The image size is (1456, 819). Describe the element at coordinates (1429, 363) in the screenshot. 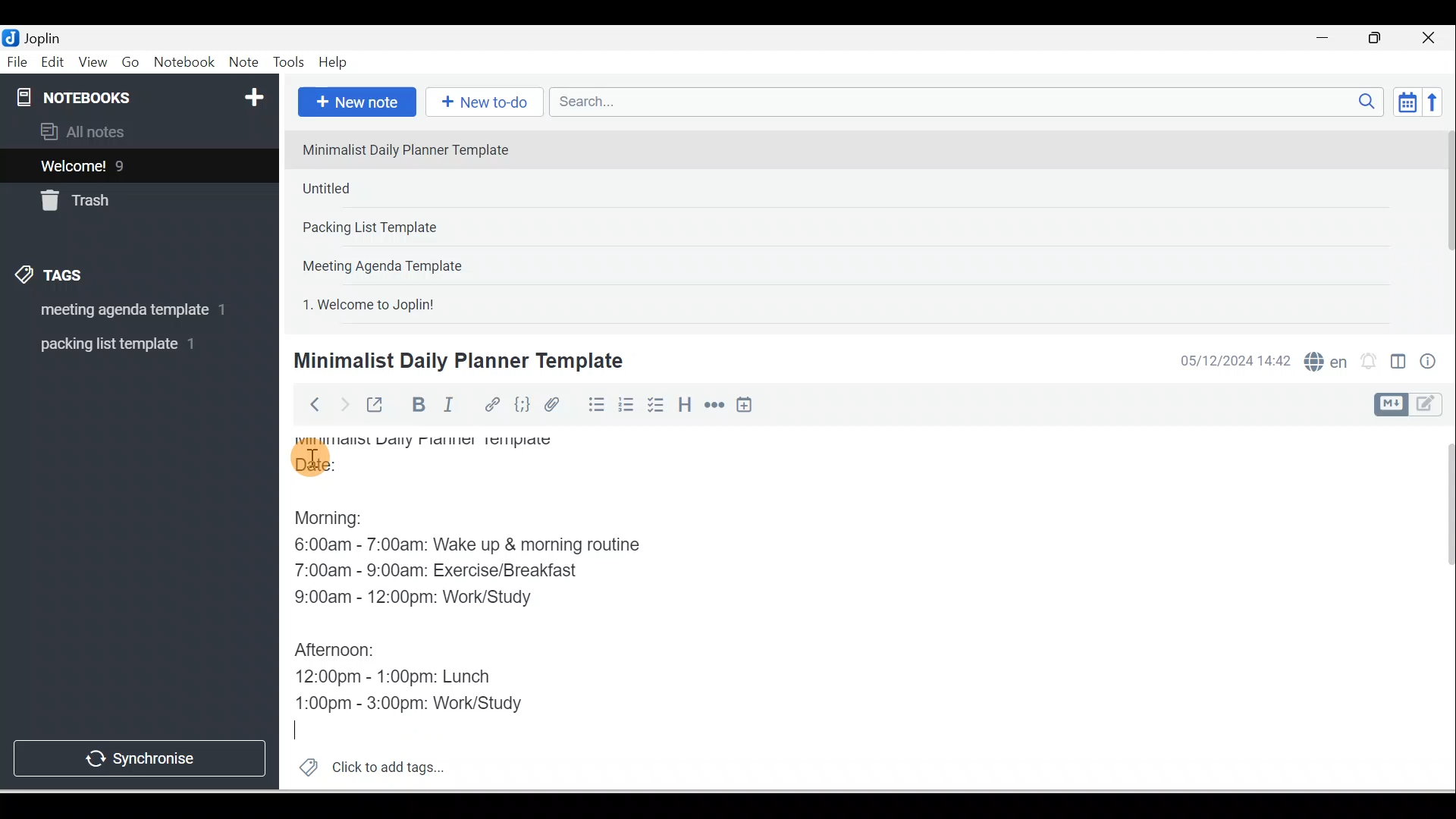

I see `Note properties` at that location.